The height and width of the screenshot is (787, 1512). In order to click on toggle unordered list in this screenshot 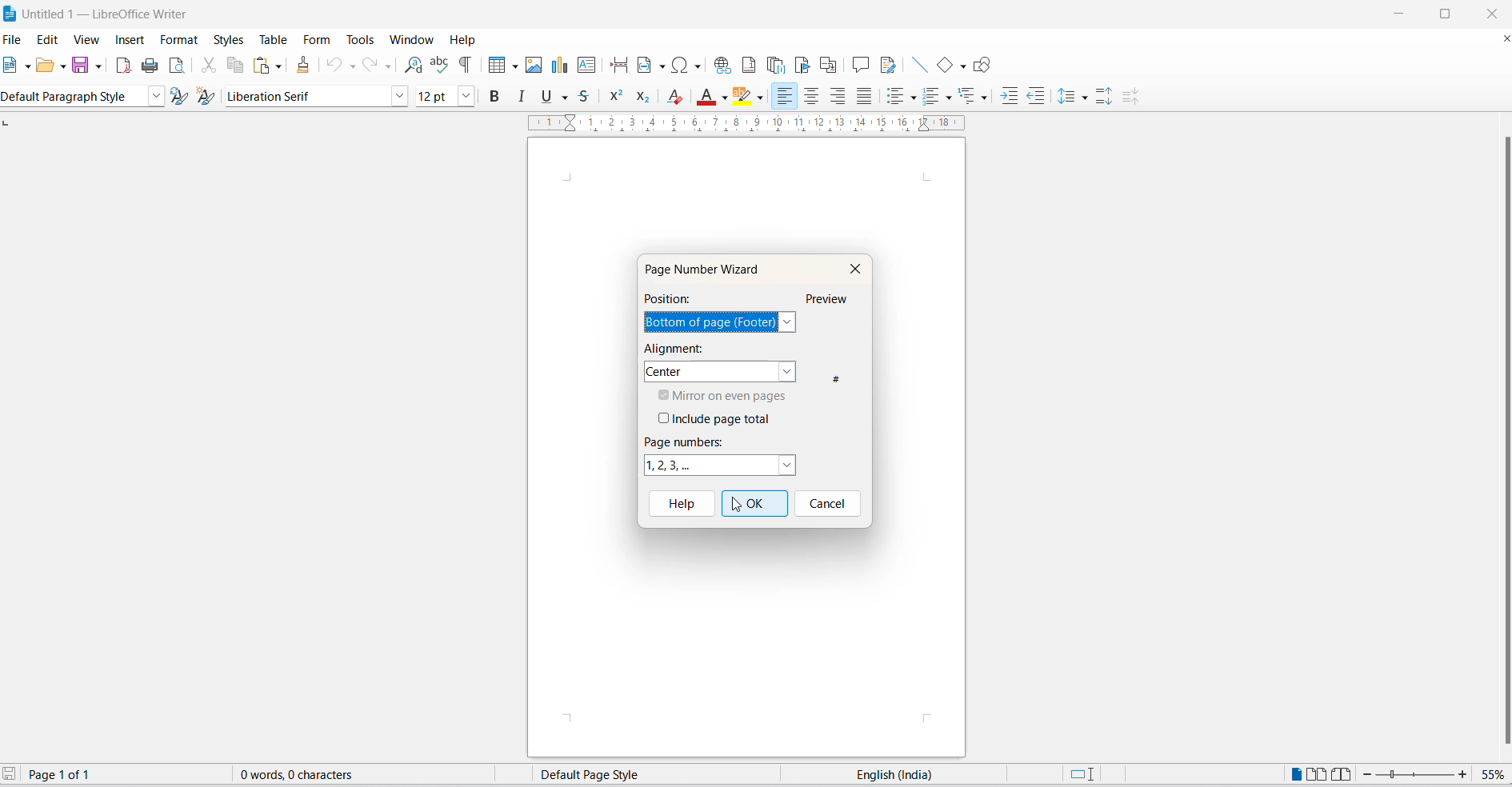, I will do `click(895, 98)`.